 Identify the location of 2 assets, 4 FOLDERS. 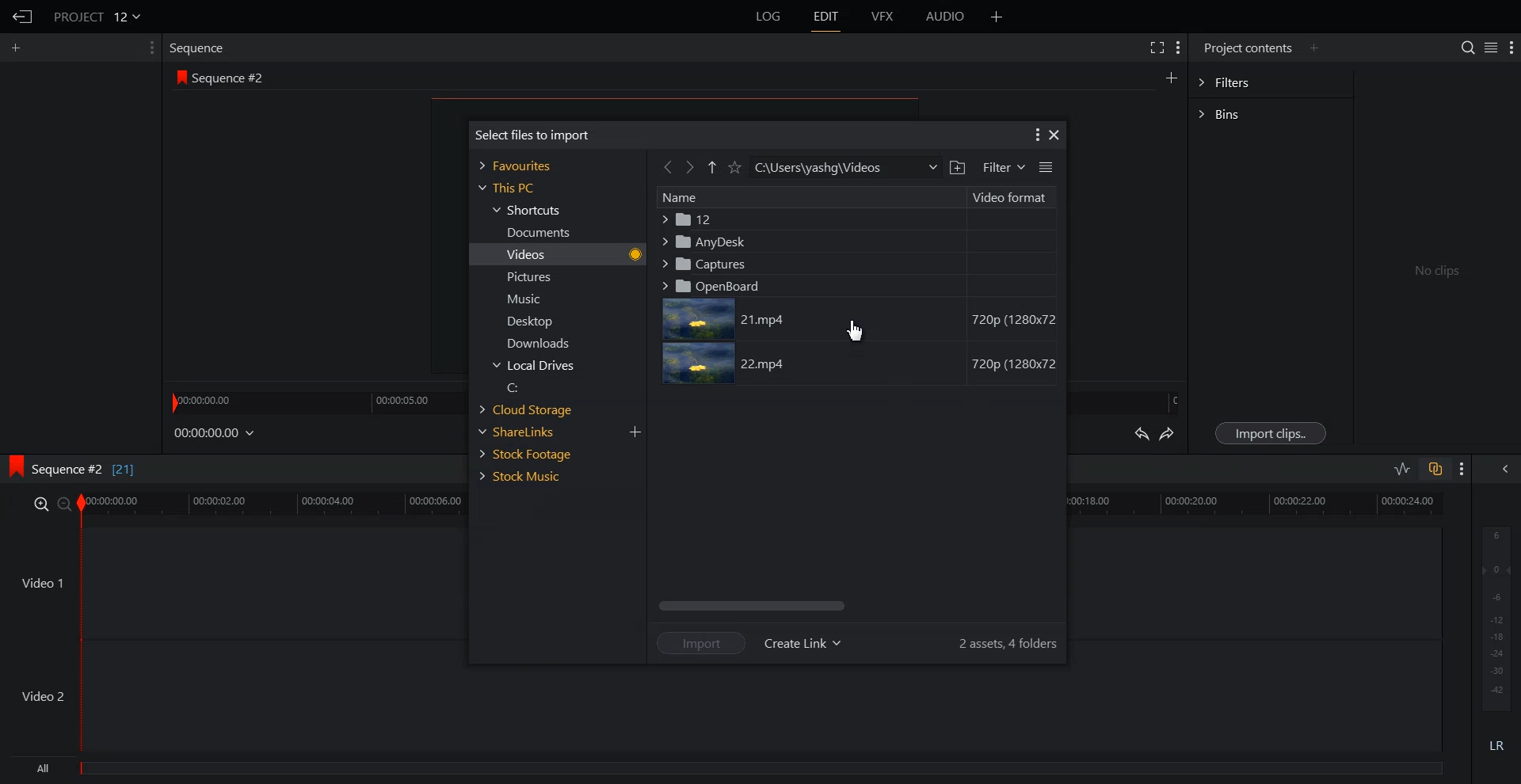
(1008, 642).